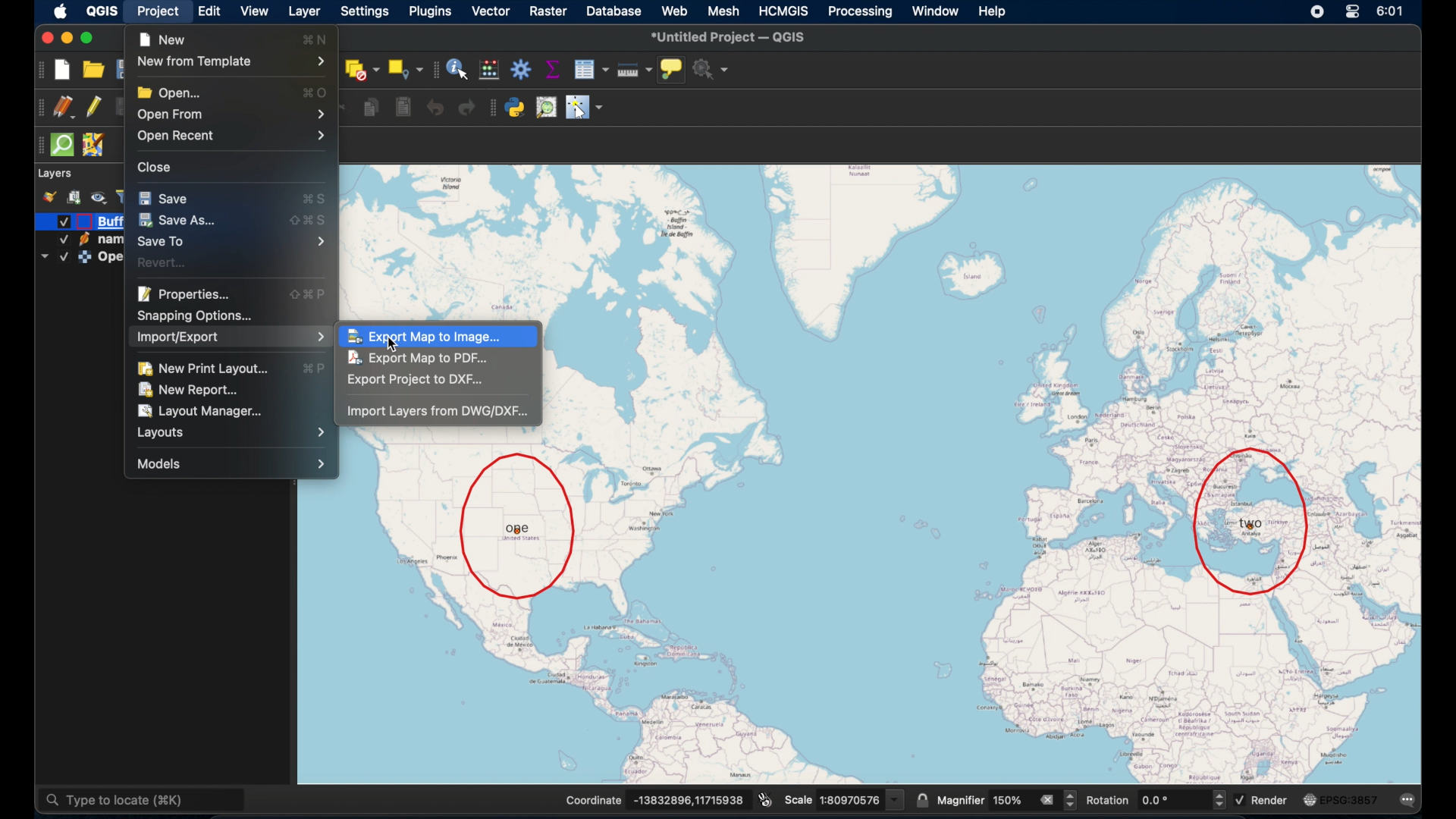 The width and height of the screenshot is (1456, 819). I want to click on control center, so click(1316, 11).